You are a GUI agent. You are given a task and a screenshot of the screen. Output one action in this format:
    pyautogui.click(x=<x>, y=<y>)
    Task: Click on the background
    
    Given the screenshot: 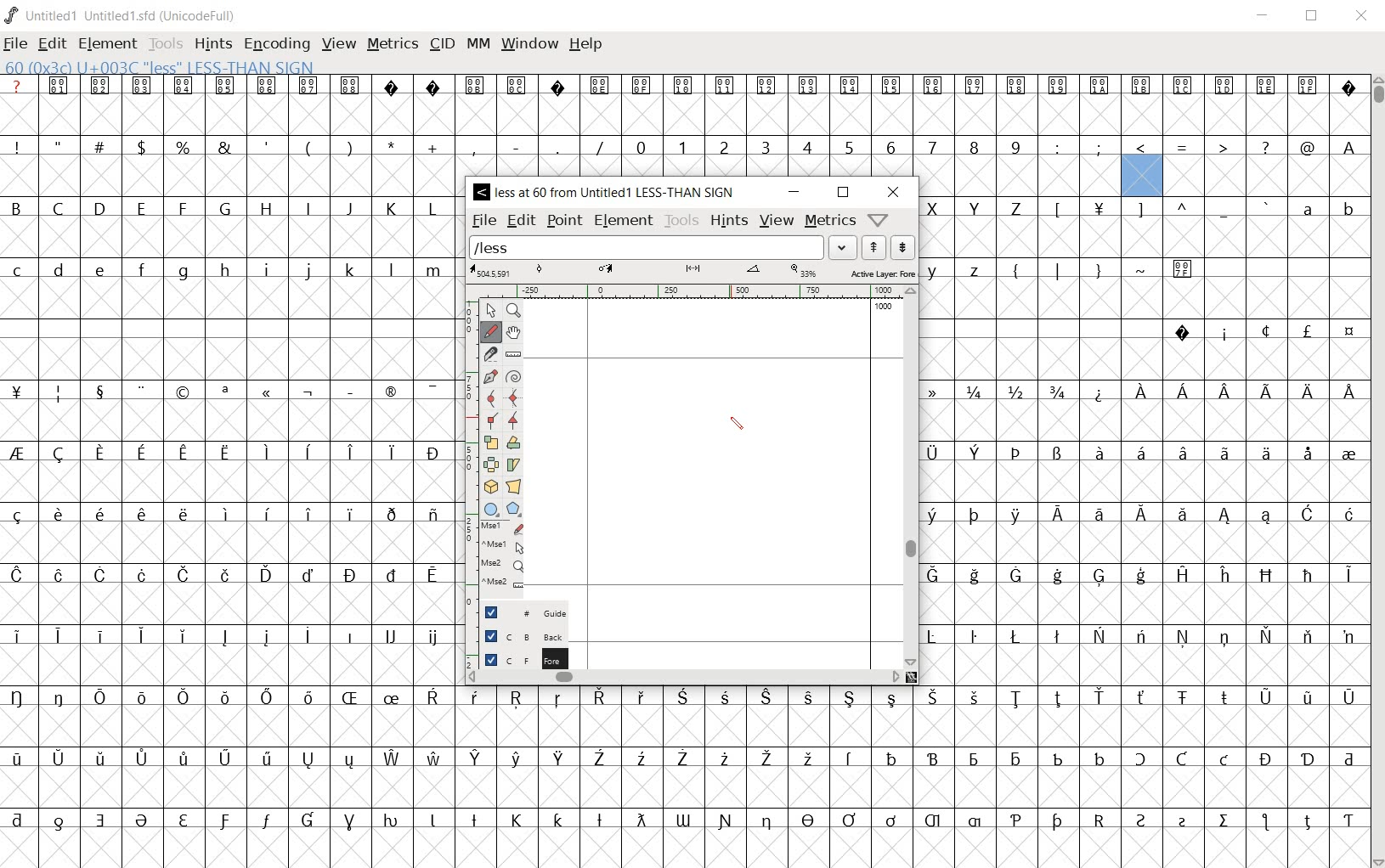 What is the action you would take?
    pyautogui.click(x=516, y=635)
    